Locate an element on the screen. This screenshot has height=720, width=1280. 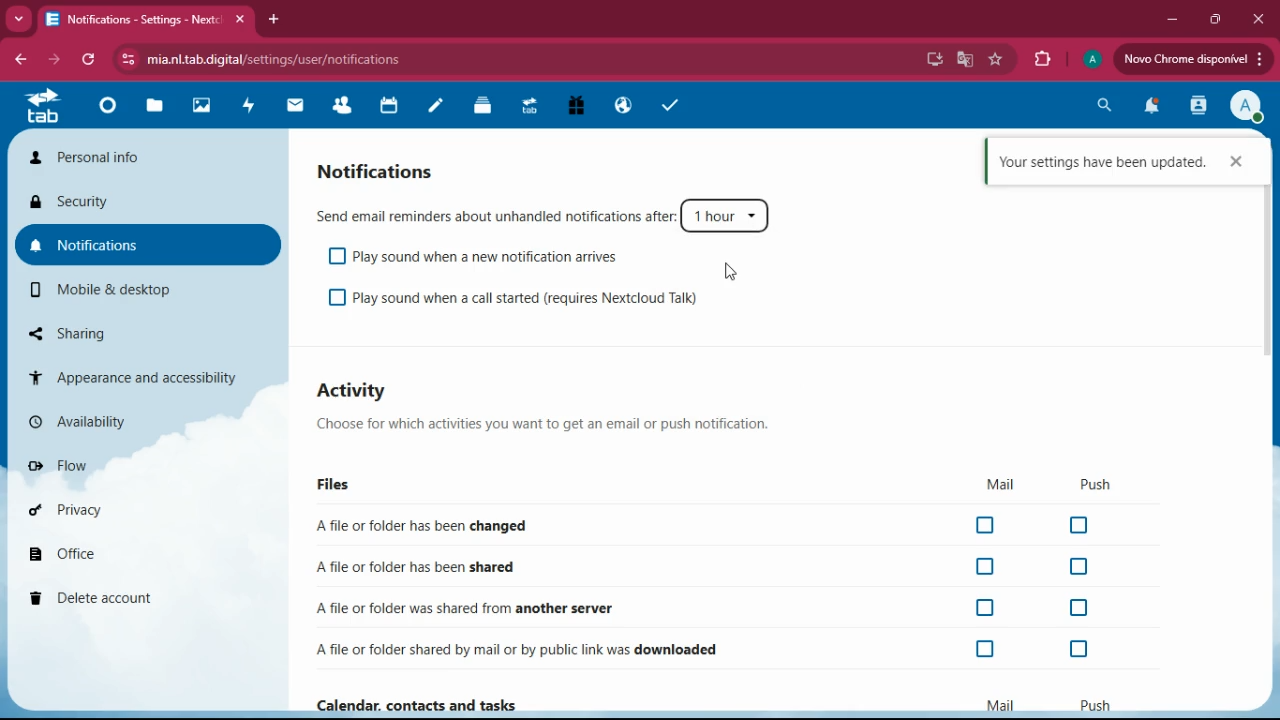
desktop is located at coordinates (933, 59).